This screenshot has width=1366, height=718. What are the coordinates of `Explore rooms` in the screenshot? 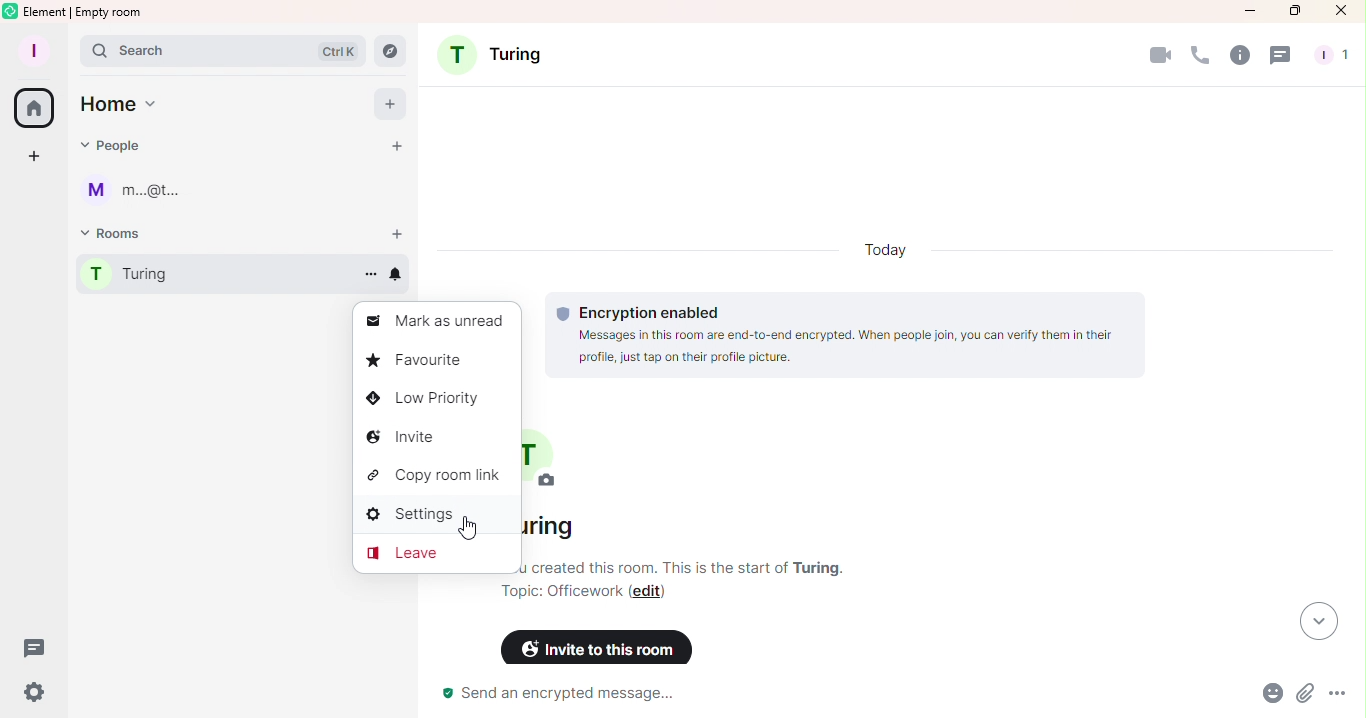 It's located at (399, 48).